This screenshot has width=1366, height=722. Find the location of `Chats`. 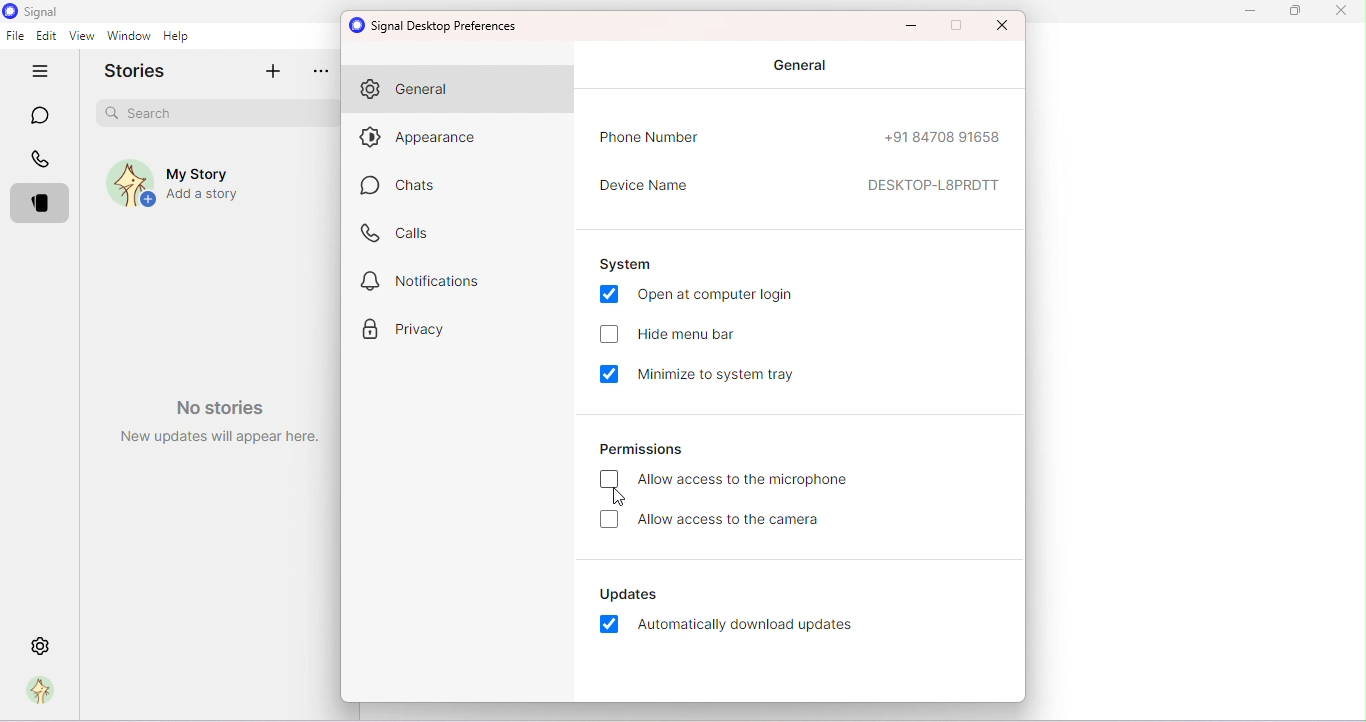

Chats is located at coordinates (396, 188).